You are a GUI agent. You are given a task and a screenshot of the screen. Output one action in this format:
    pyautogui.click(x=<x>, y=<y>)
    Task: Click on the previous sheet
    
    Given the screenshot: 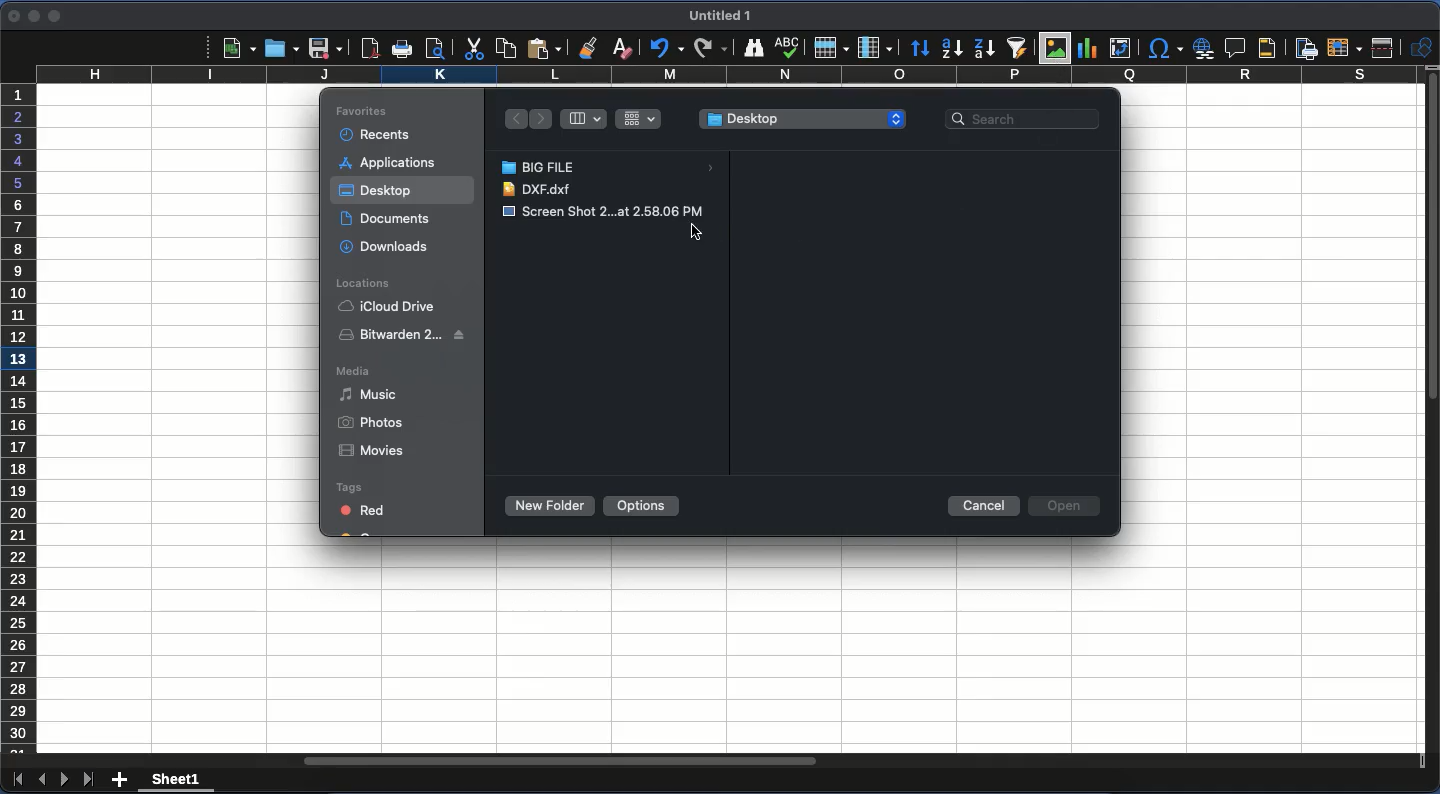 What is the action you would take?
    pyautogui.click(x=41, y=779)
    